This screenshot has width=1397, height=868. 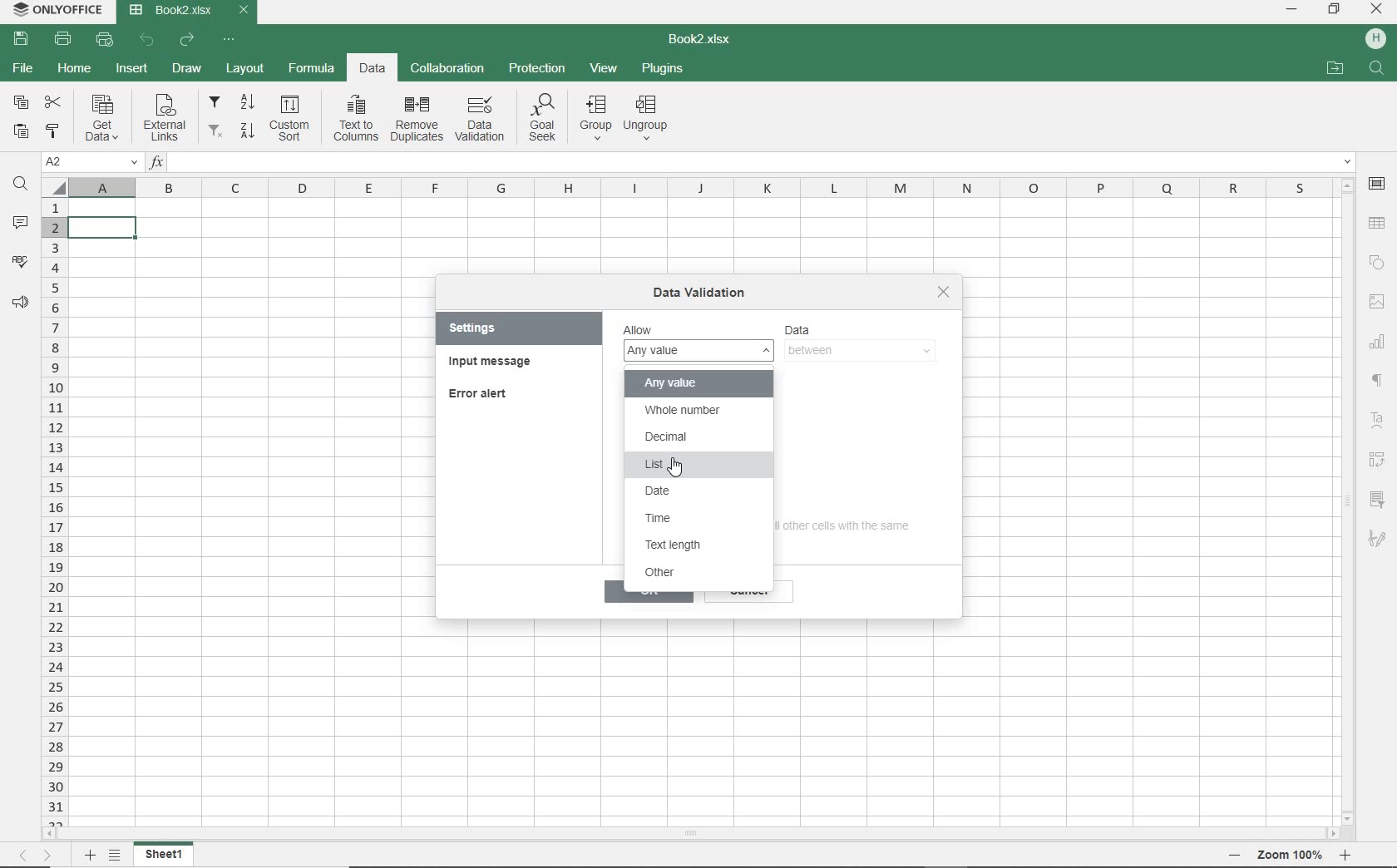 What do you see at coordinates (695, 383) in the screenshot?
I see `any value` at bounding box center [695, 383].